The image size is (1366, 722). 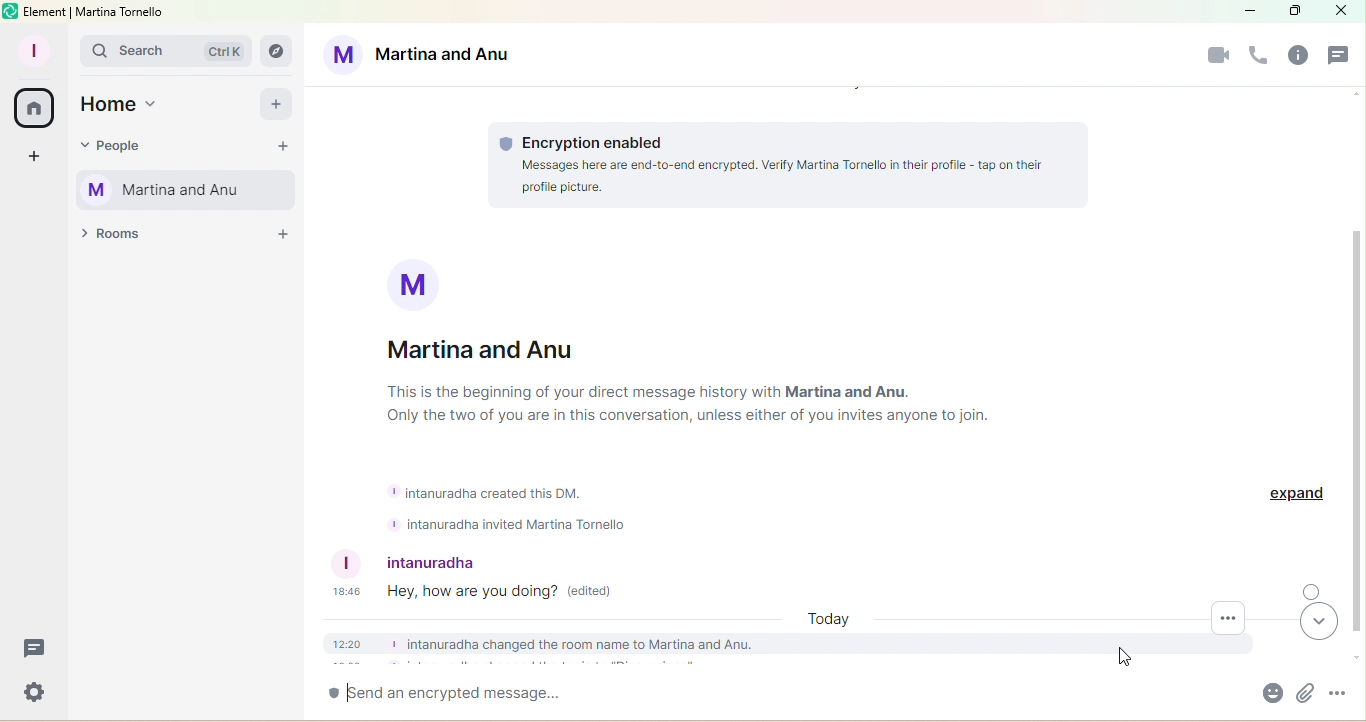 What do you see at coordinates (1290, 13) in the screenshot?
I see `Maximize` at bounding box center [1290, 13].